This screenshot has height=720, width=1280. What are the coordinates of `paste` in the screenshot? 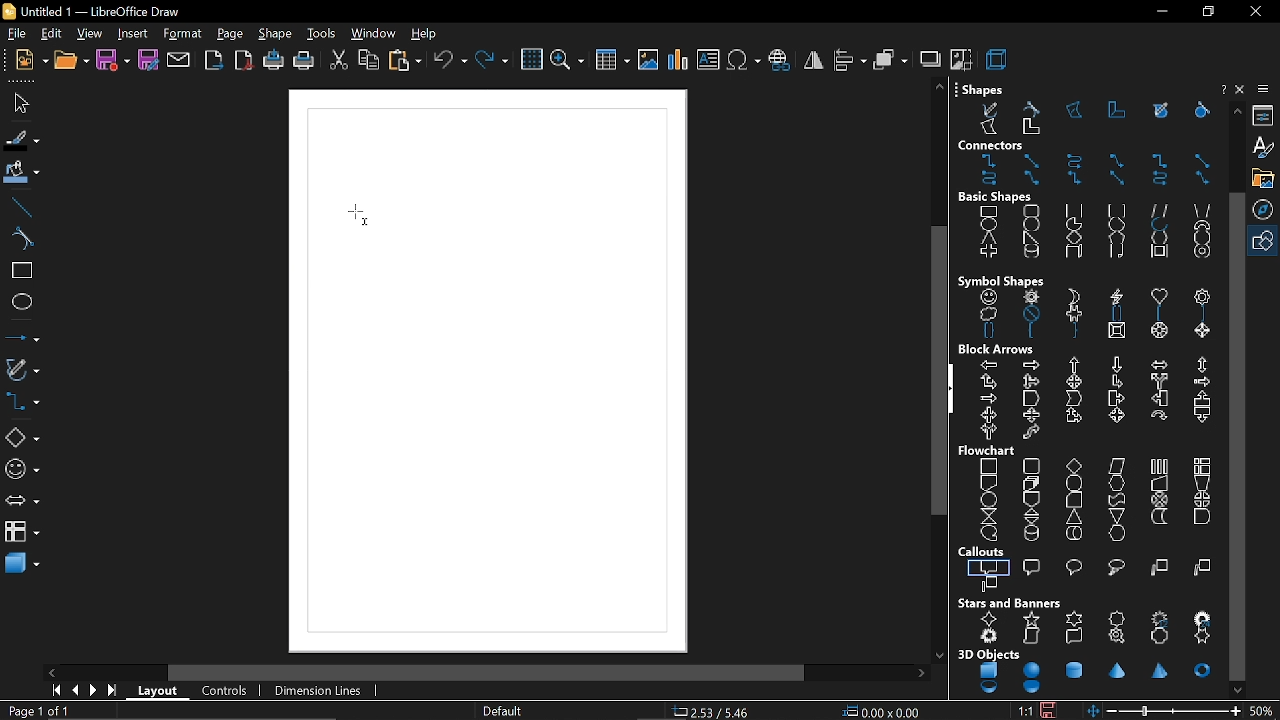 It's located at (404, 62).